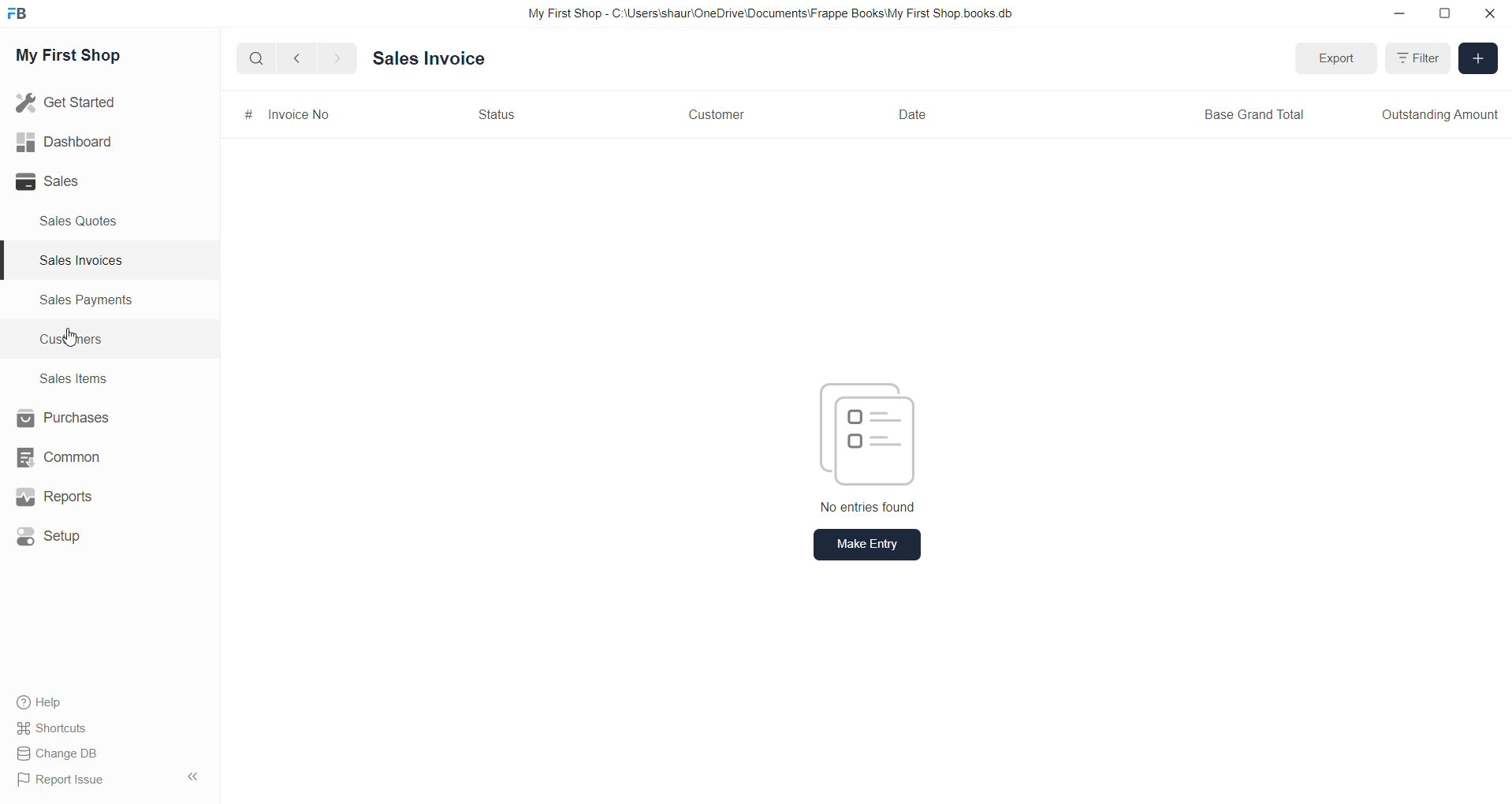 The width and height of the screenshot is (1512, 804). I want to click on Search, so click(256, 61).